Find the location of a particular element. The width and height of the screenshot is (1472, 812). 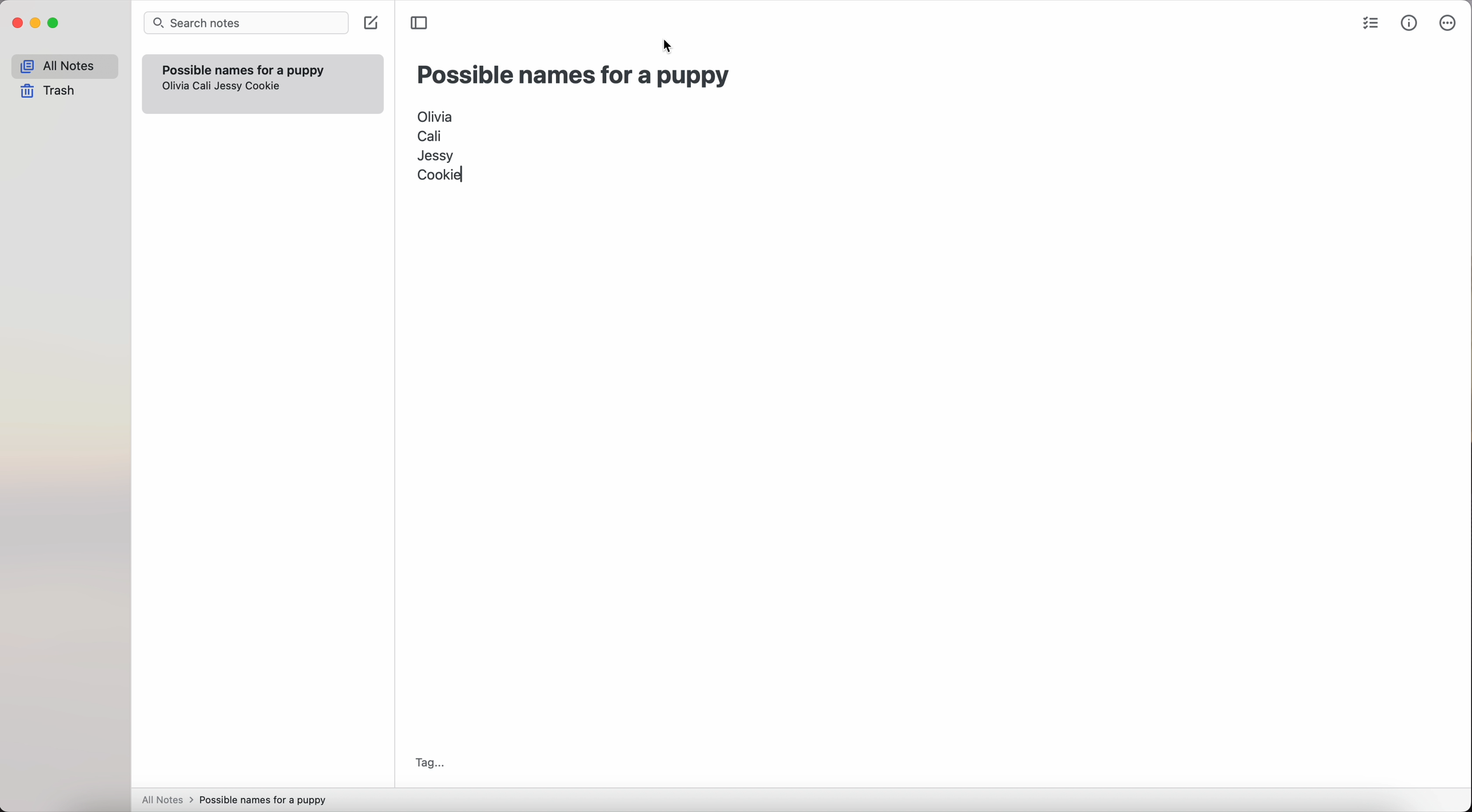

possible names for a puppy is located at coordinates (574, 75).